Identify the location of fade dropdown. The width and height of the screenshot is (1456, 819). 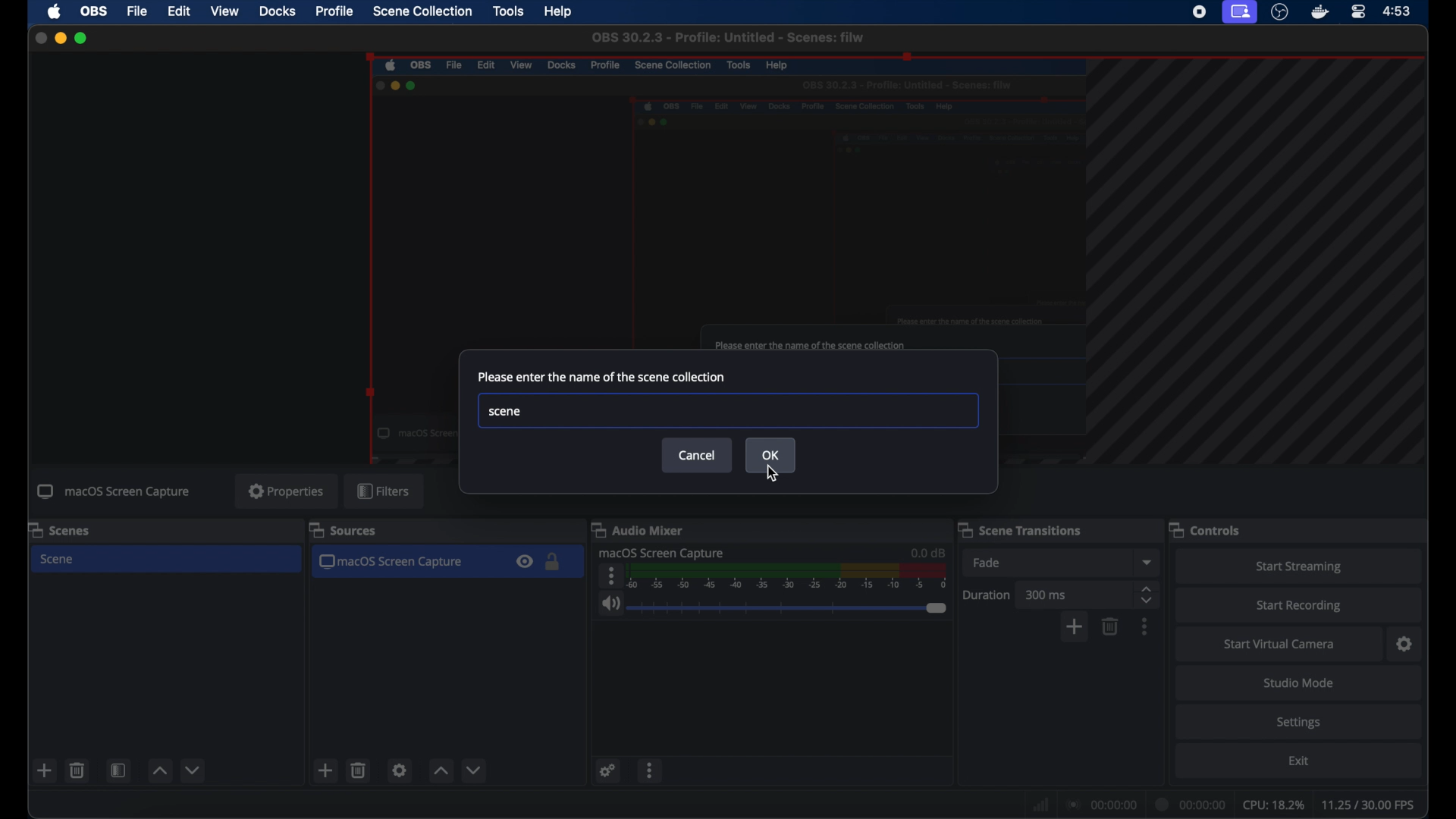
(1147, 562).